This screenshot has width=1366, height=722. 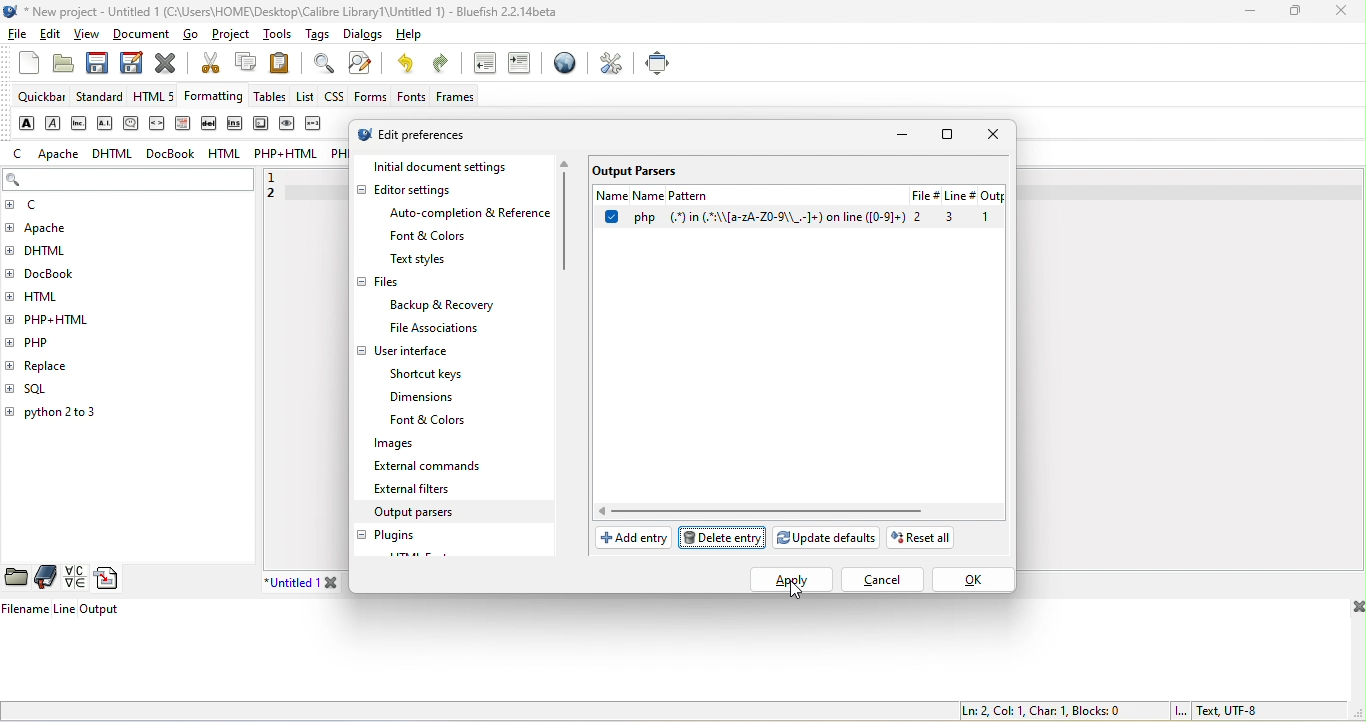 I want to click on undo, so click(x=409, y=65).